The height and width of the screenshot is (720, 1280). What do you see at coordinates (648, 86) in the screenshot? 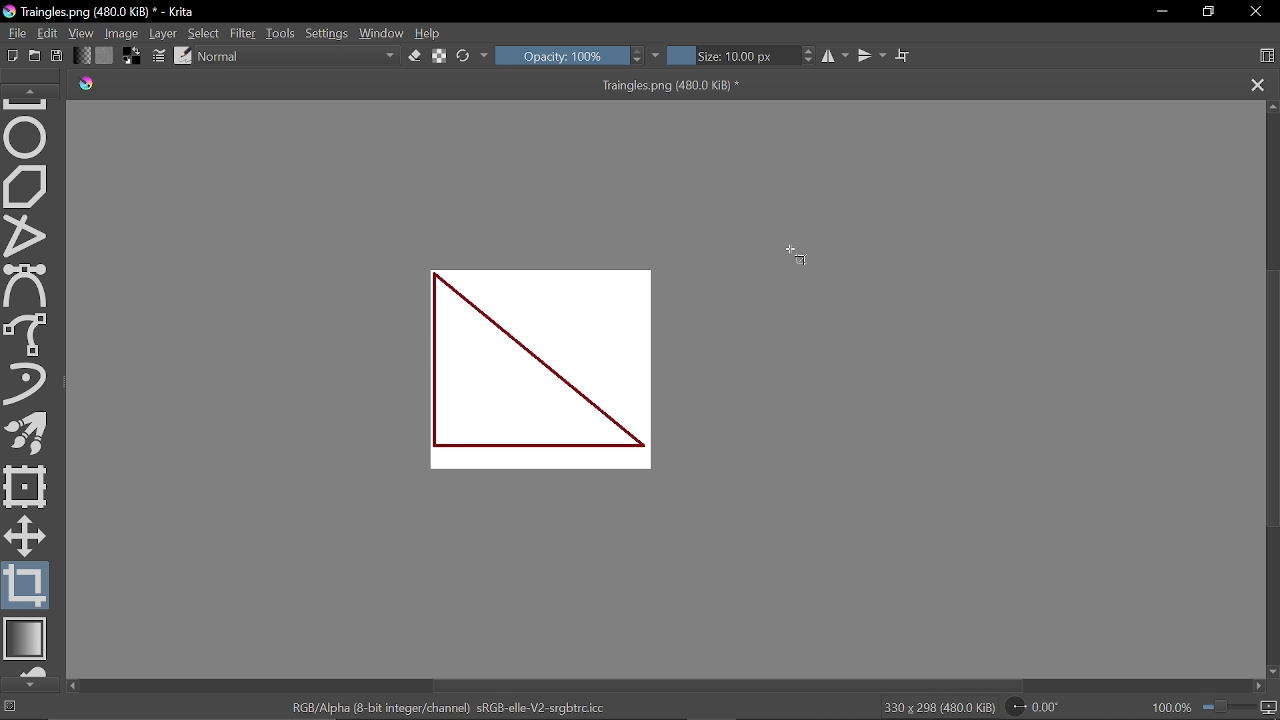
I see `Traingles.png (960.0 KiB)` at bounding box center [648, 86].